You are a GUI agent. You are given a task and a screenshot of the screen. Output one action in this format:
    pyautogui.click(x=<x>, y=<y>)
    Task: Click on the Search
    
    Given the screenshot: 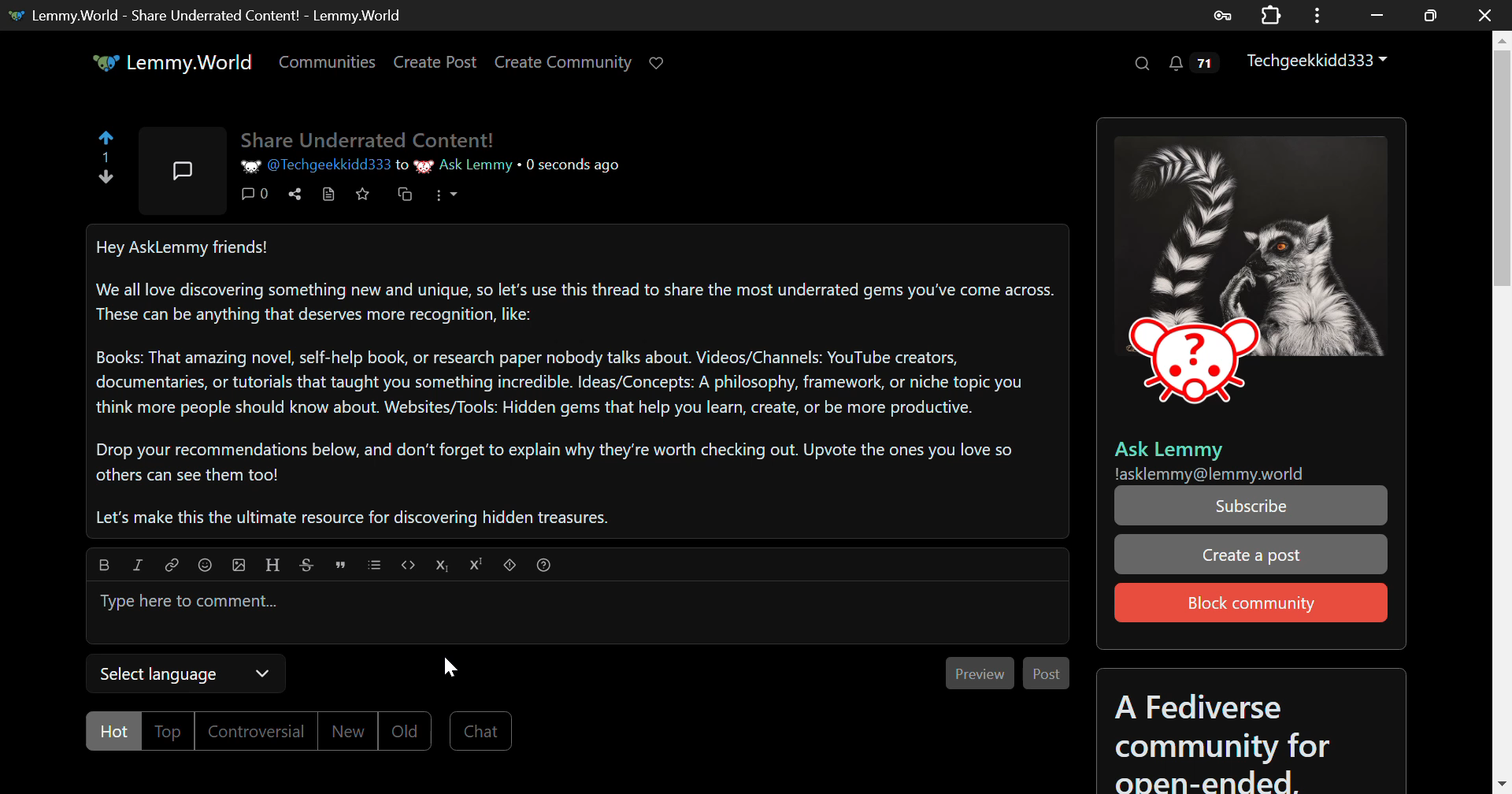 What is the action you would take?
    pyautogui.click(x=1144, y=66)
    